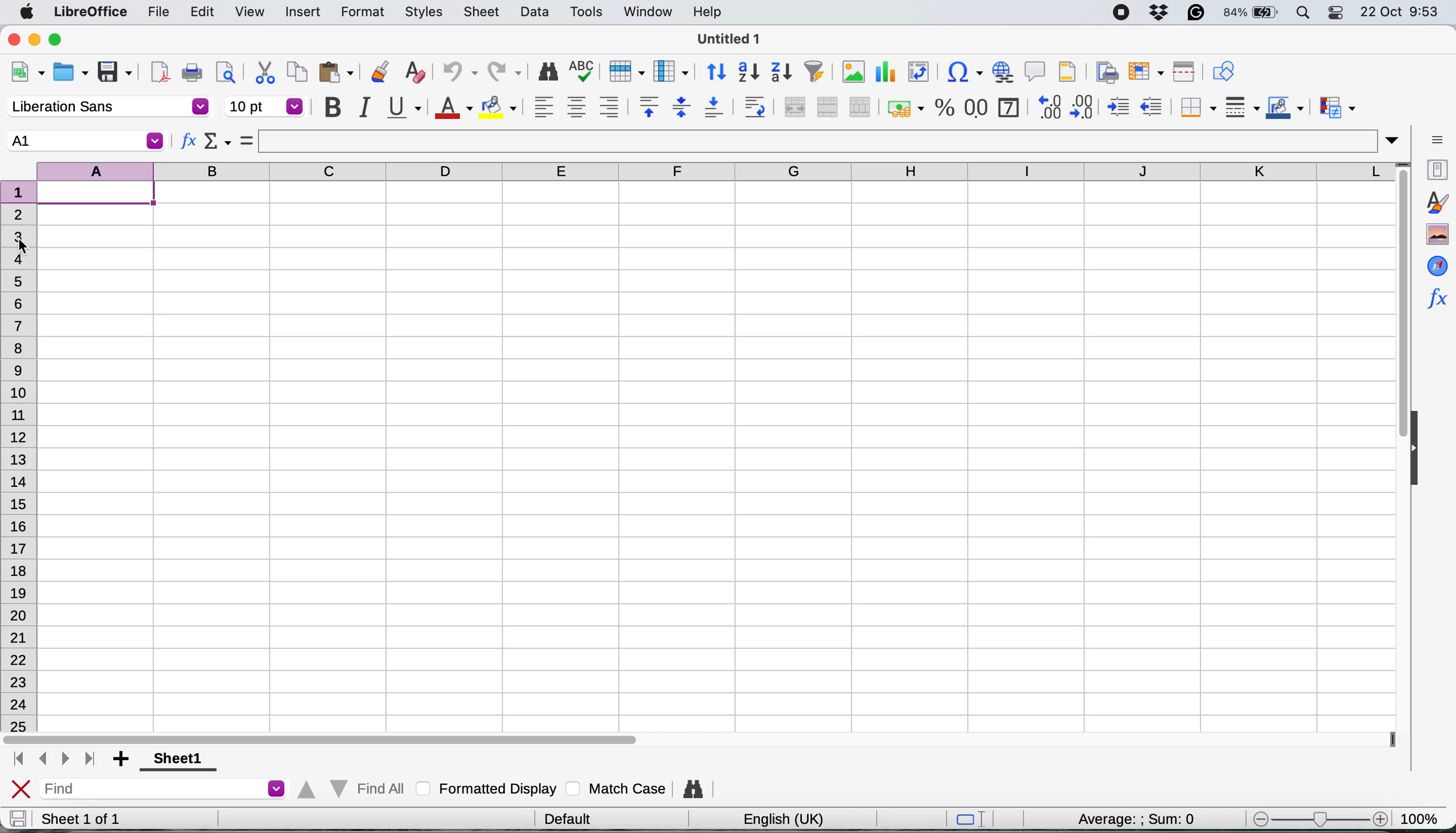 The height and width of the screenshot is (833, 1456). I want to click on standard selection, so click(975, 820).